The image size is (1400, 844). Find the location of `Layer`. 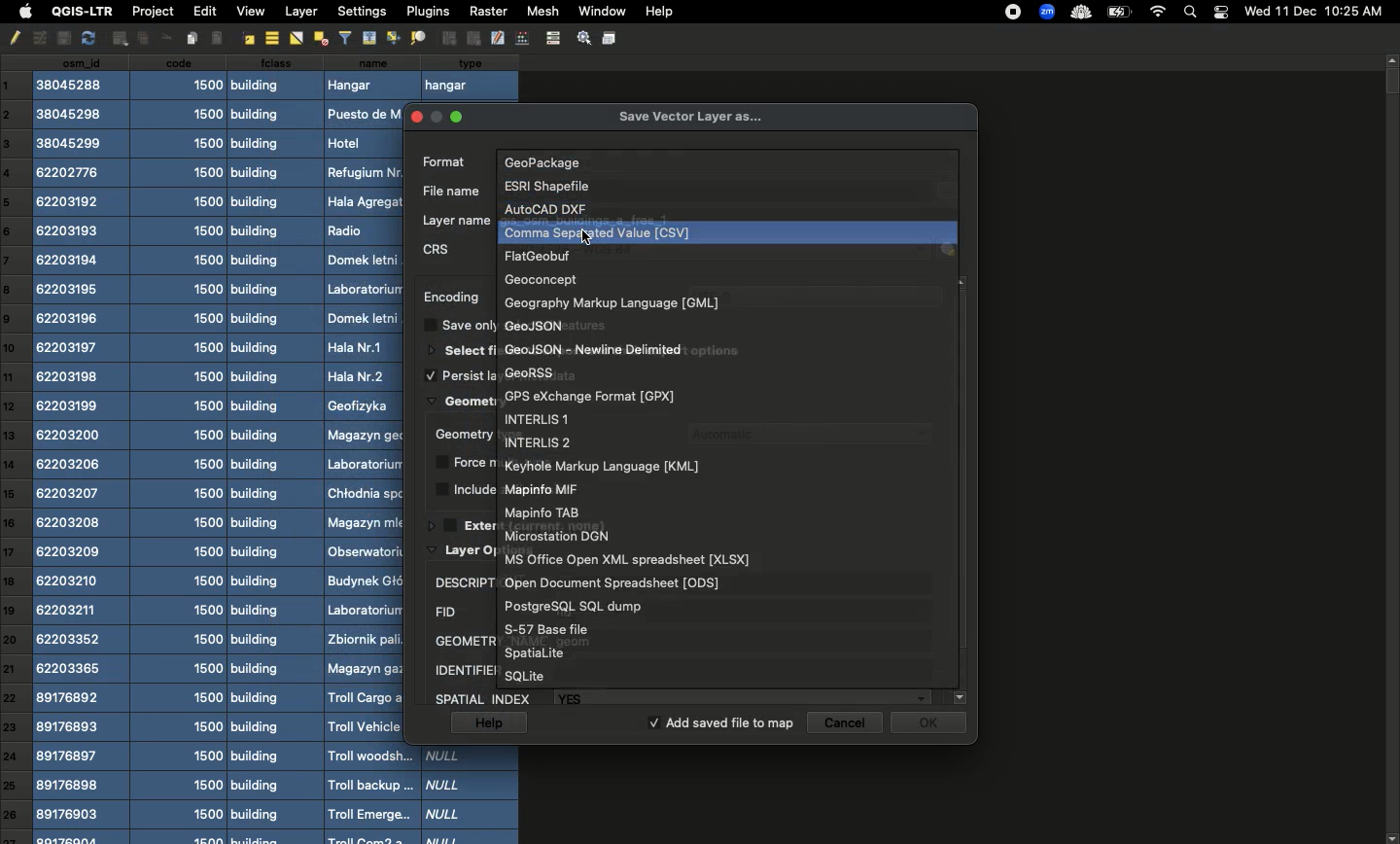

Layer is located at coordinates (301, 12).